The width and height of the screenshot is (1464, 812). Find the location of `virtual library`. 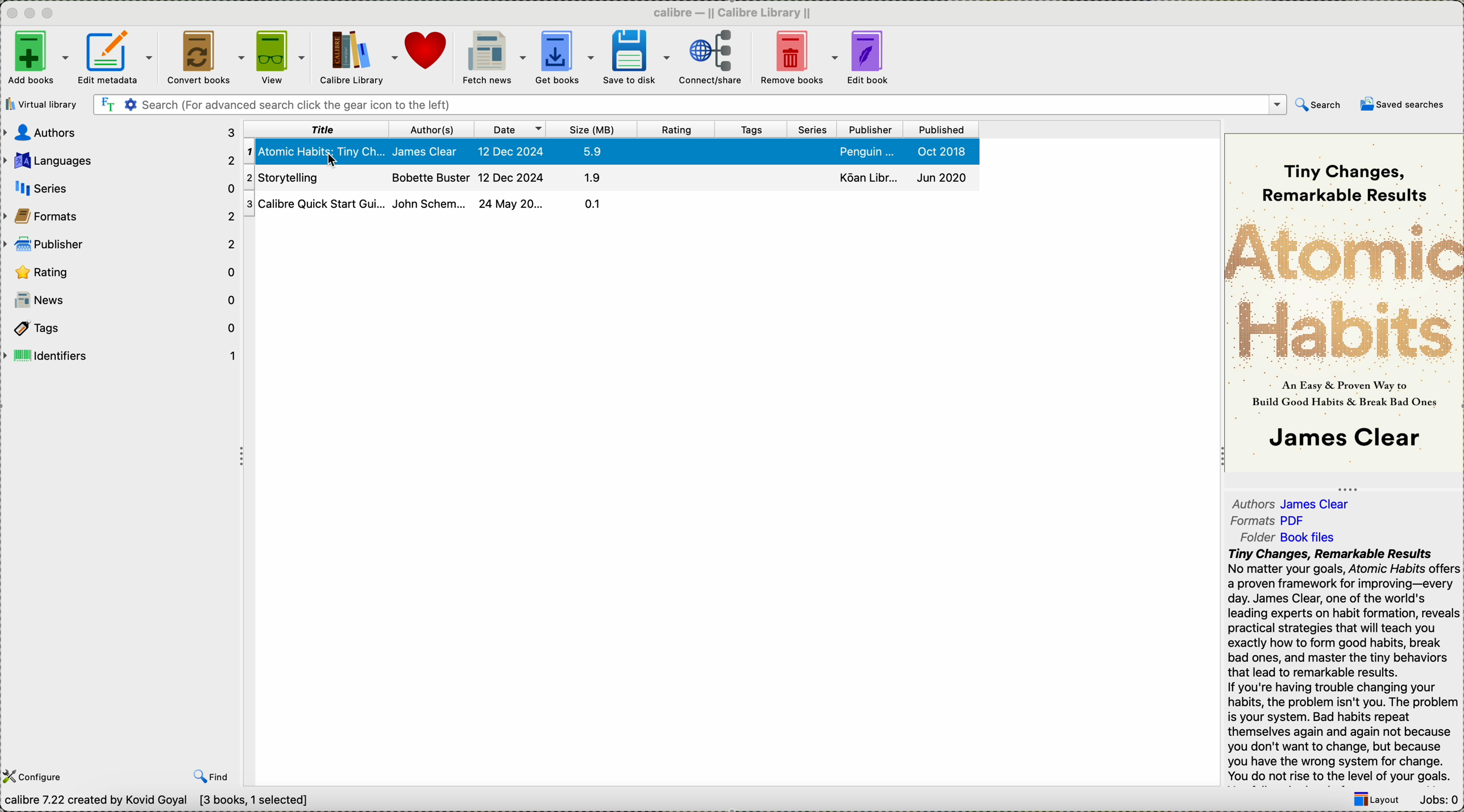

virtual library is located at coordinates (44, 104).